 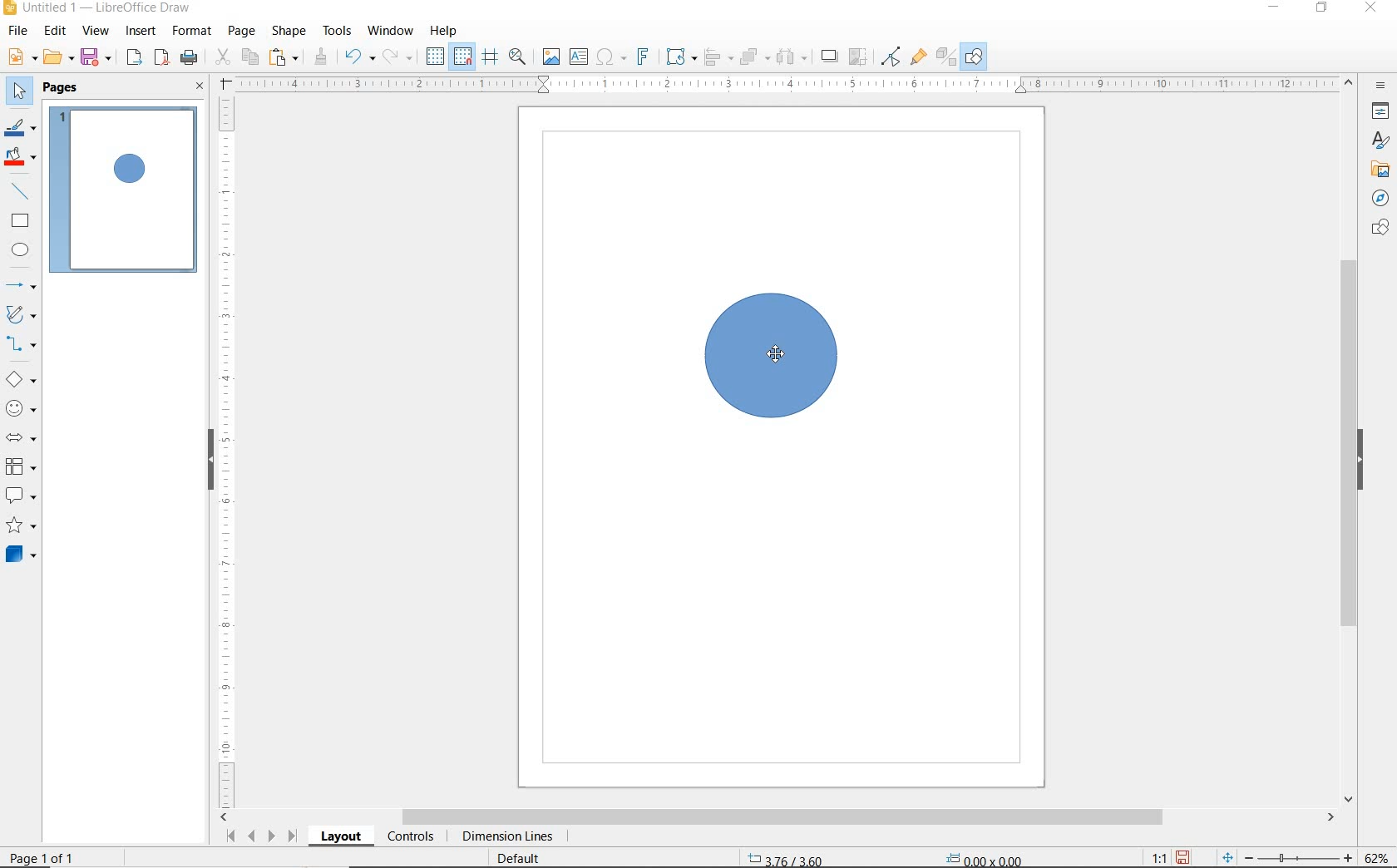 What do you see at coordinates (23, 378) in the screenshot?
I see `BASIC SHAPES` at bounding box center [23, 378].